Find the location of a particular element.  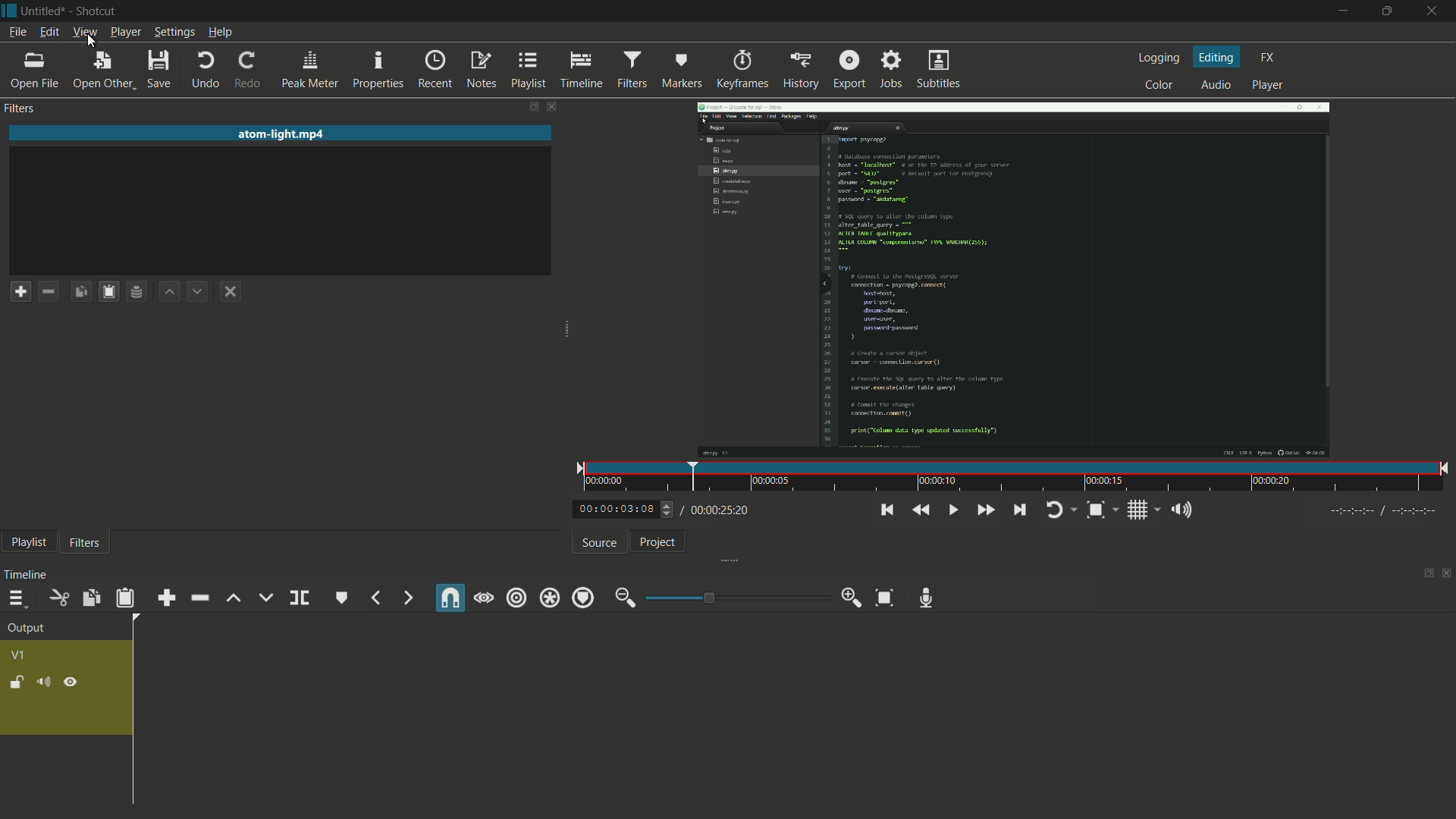

hide is located at coordinates (72, 682).